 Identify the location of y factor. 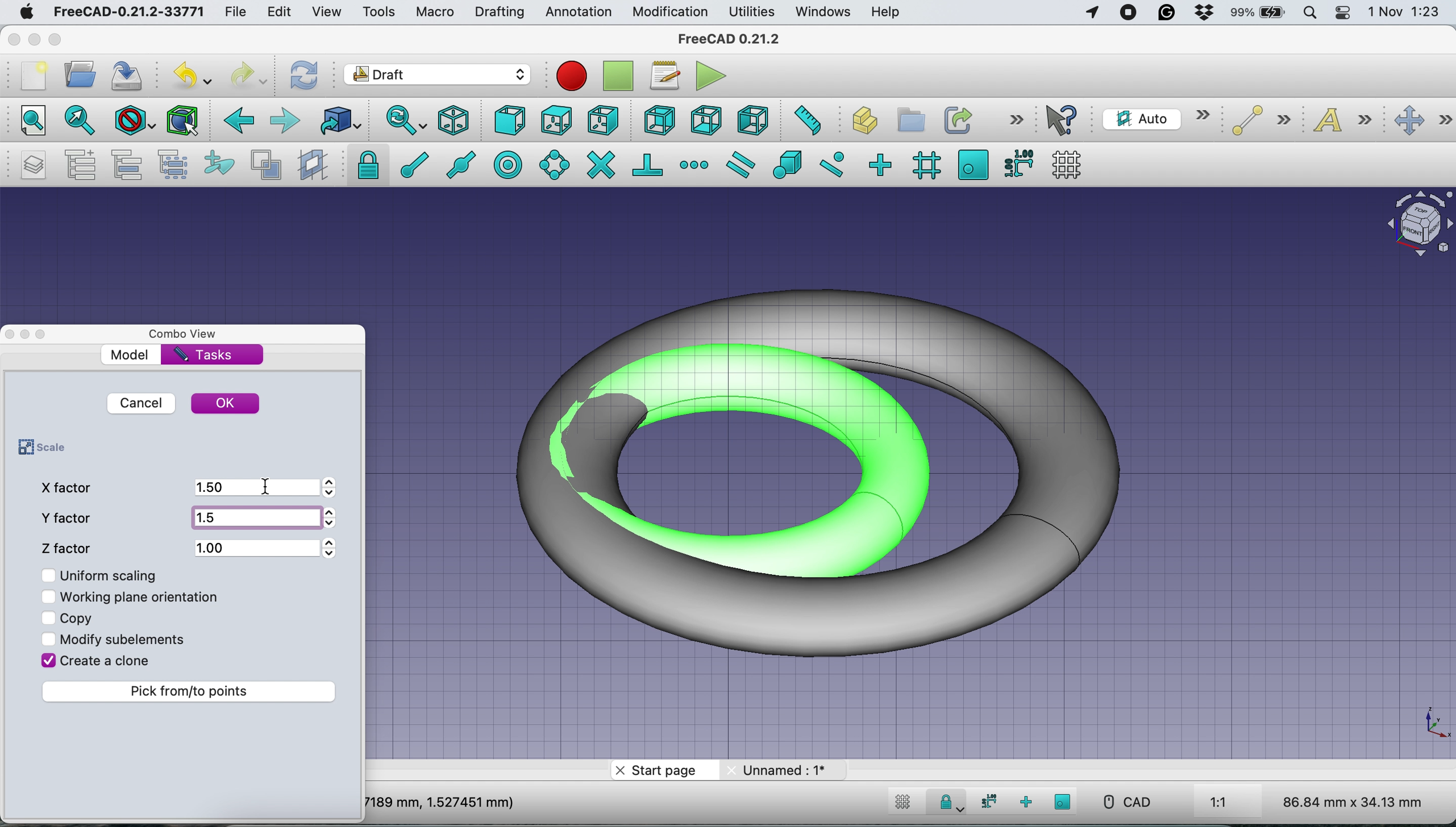
(70, 517).